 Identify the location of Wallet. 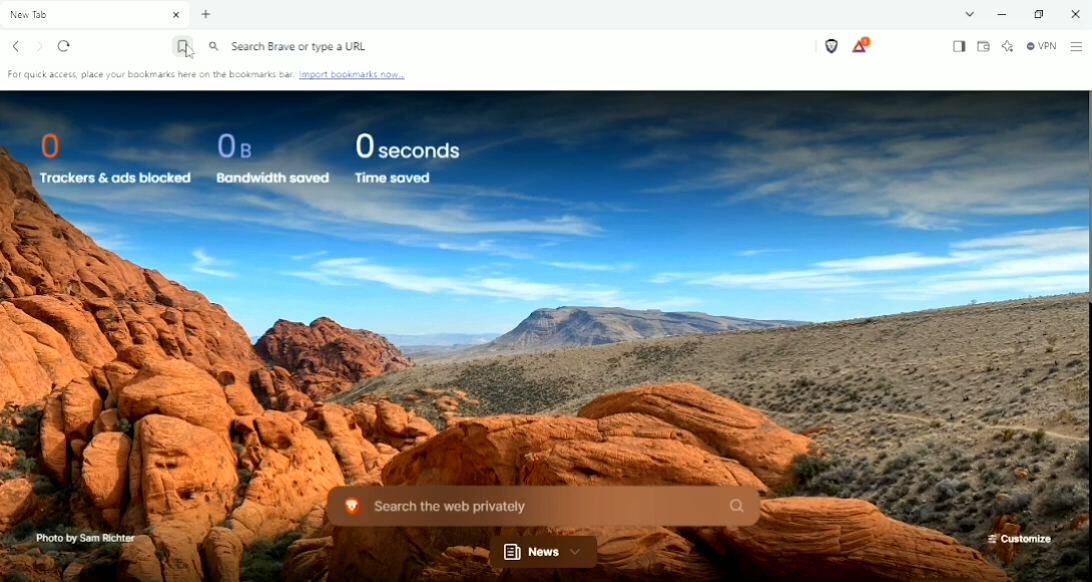
(984, 46).